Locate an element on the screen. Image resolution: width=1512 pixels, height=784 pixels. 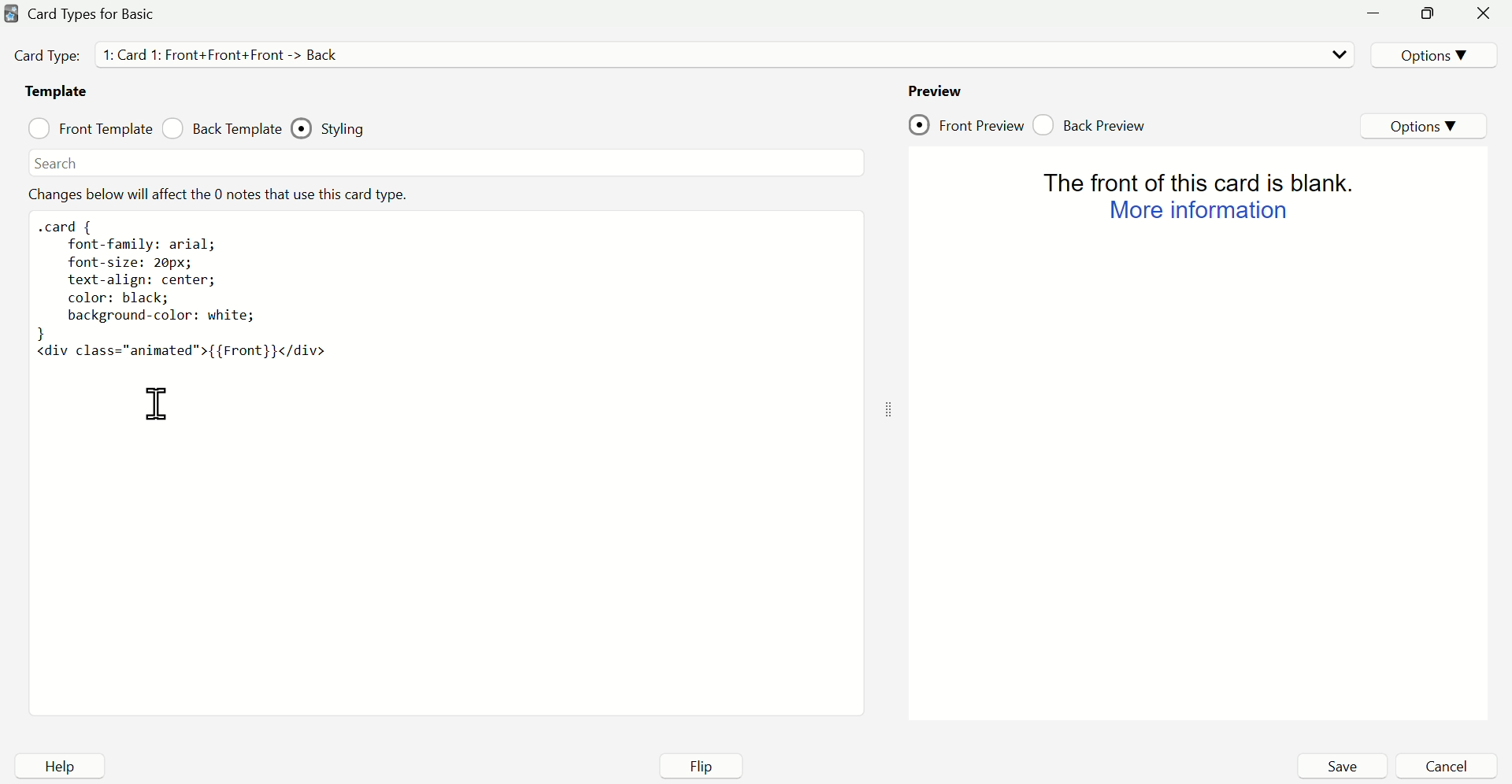
Save is located at coordinates (1341, 766).